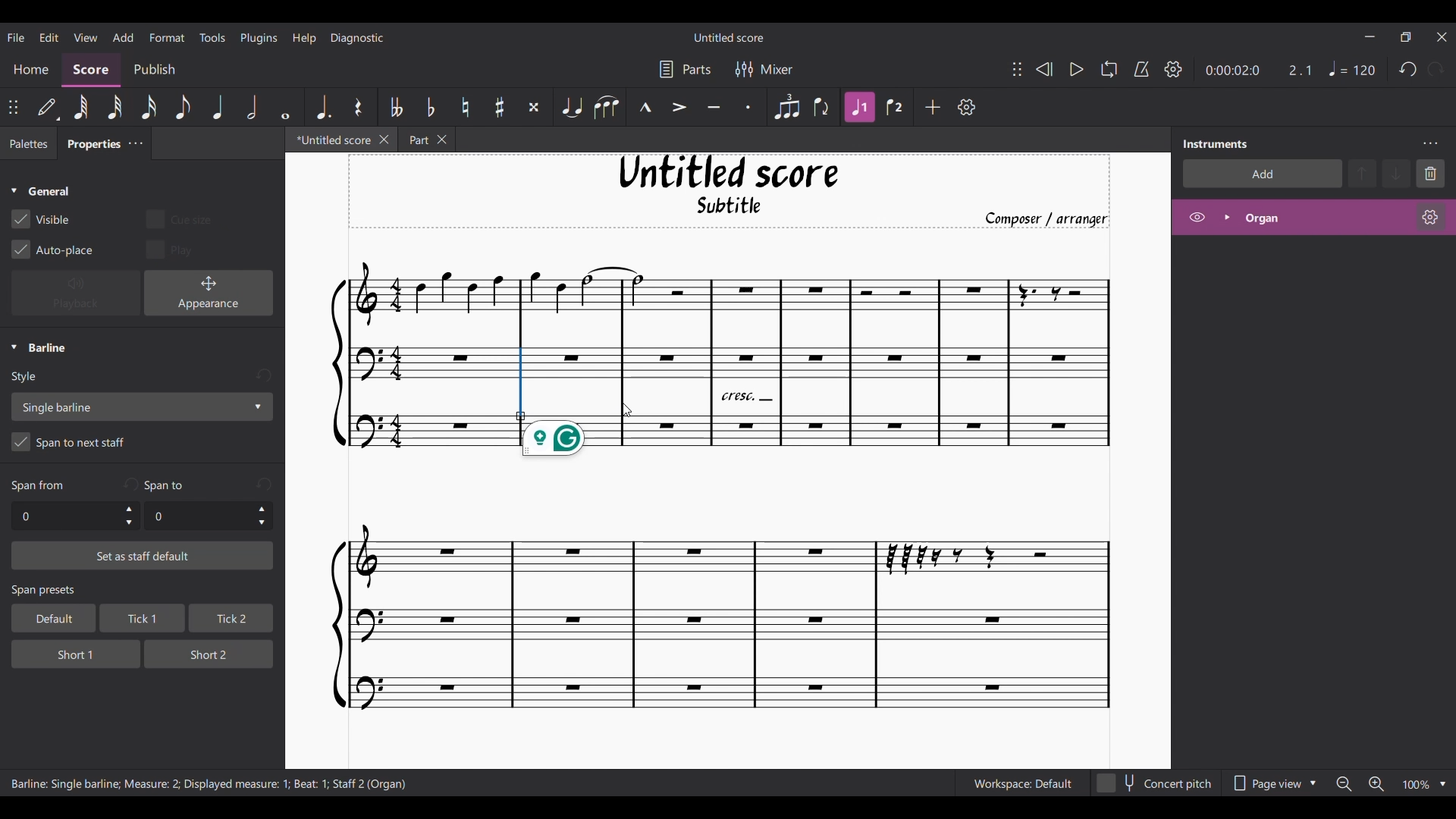 The height and width of the screenshot is (819, 1456). Describe the element at coordinates (116, 108) in the screenshot. I see `32nd note` at that location.